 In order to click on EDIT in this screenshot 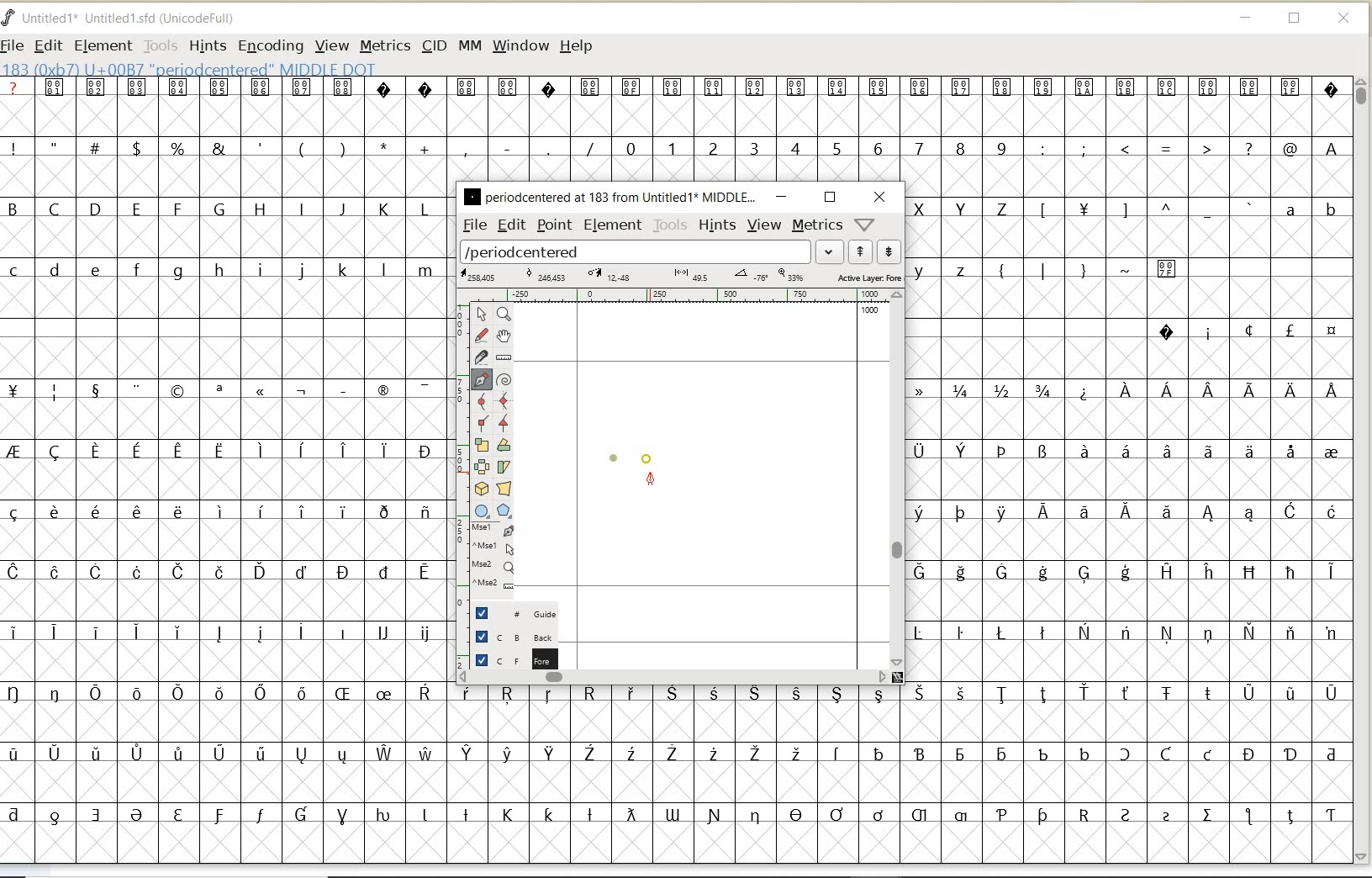, I will do `click(48, 47)`.